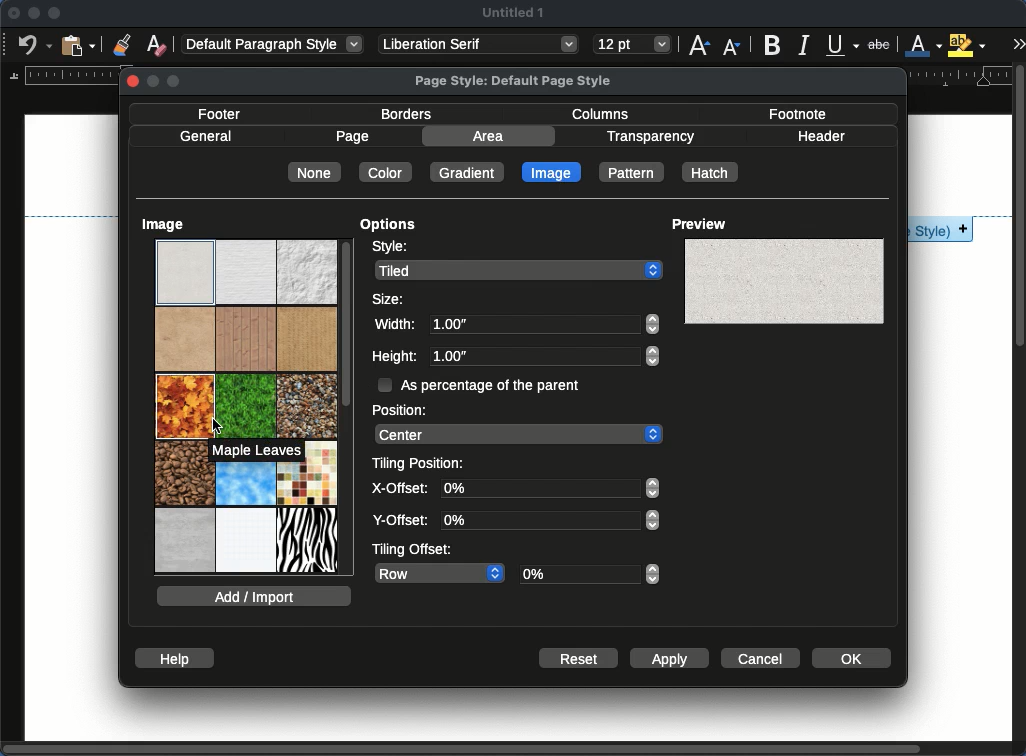  What do you see at coordinates (878, 44) in the screenshot?
I see `strikethrough` at bounding box center [878, 44].